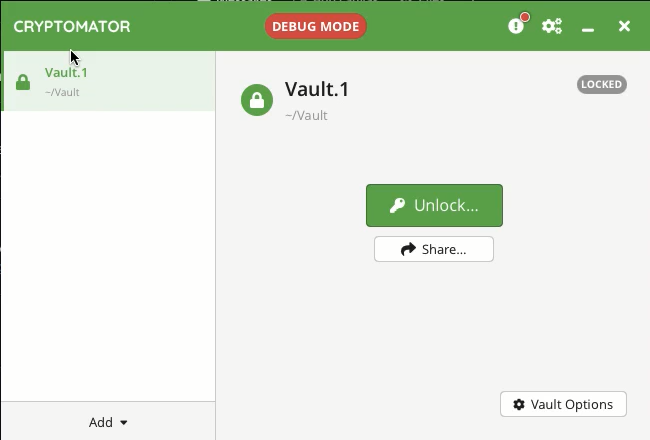 This screenshot has height=440, width=650. I want to click on Vault, so click(292, 99).